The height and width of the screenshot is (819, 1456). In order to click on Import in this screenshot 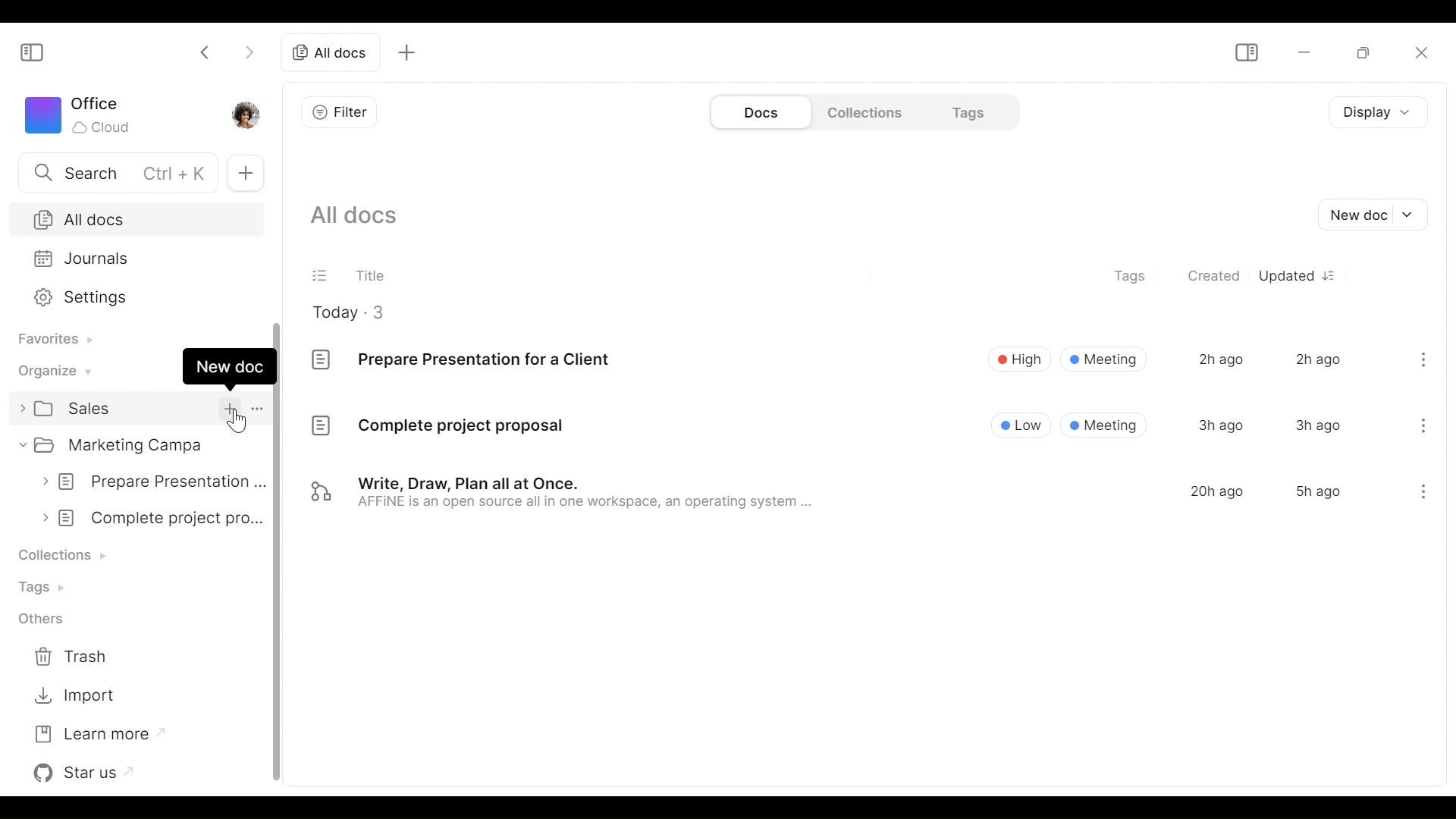, I will do `click(79, 692)`.